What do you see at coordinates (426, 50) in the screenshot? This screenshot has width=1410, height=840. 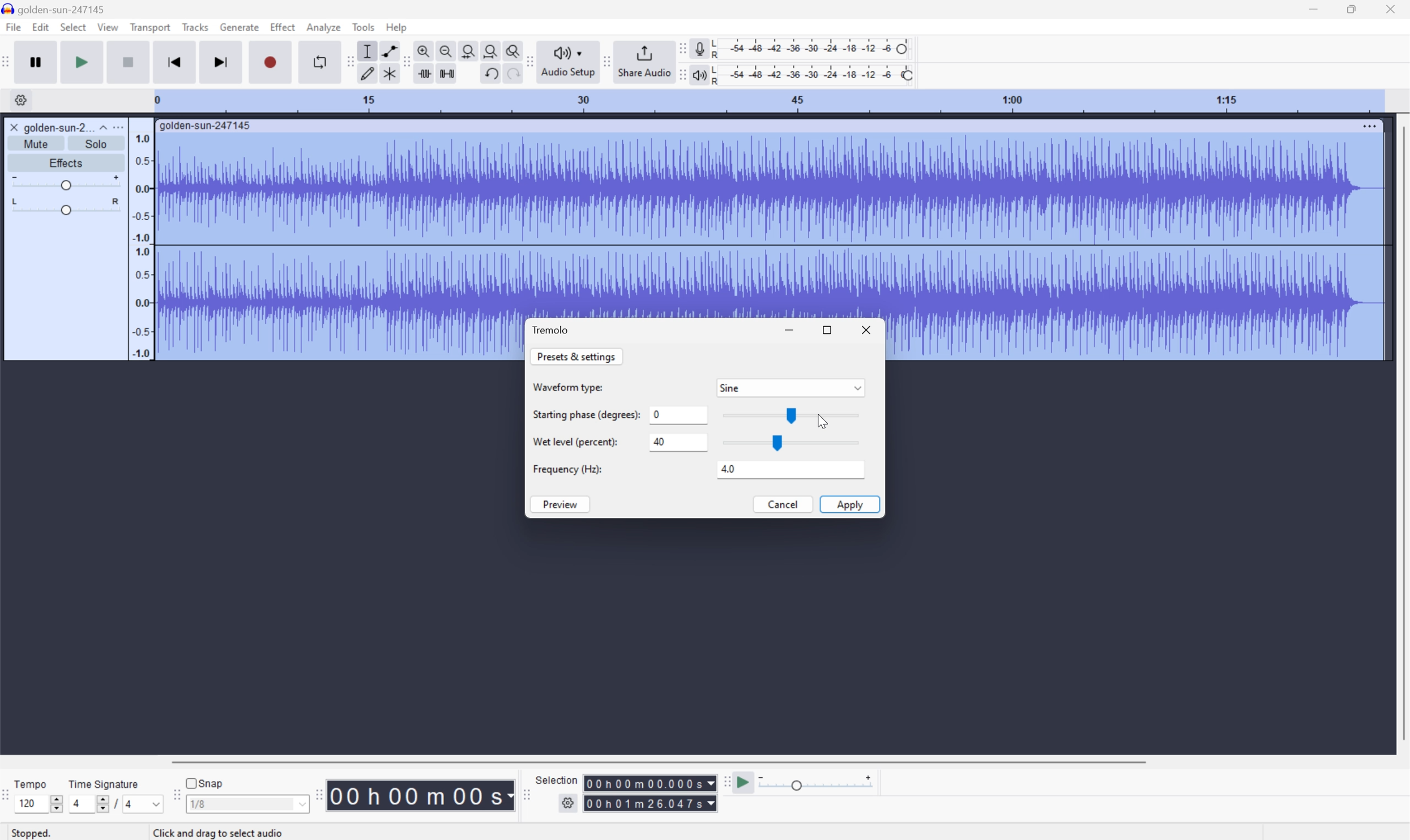 I see `Zoom in` at bounding box center [426, 50].